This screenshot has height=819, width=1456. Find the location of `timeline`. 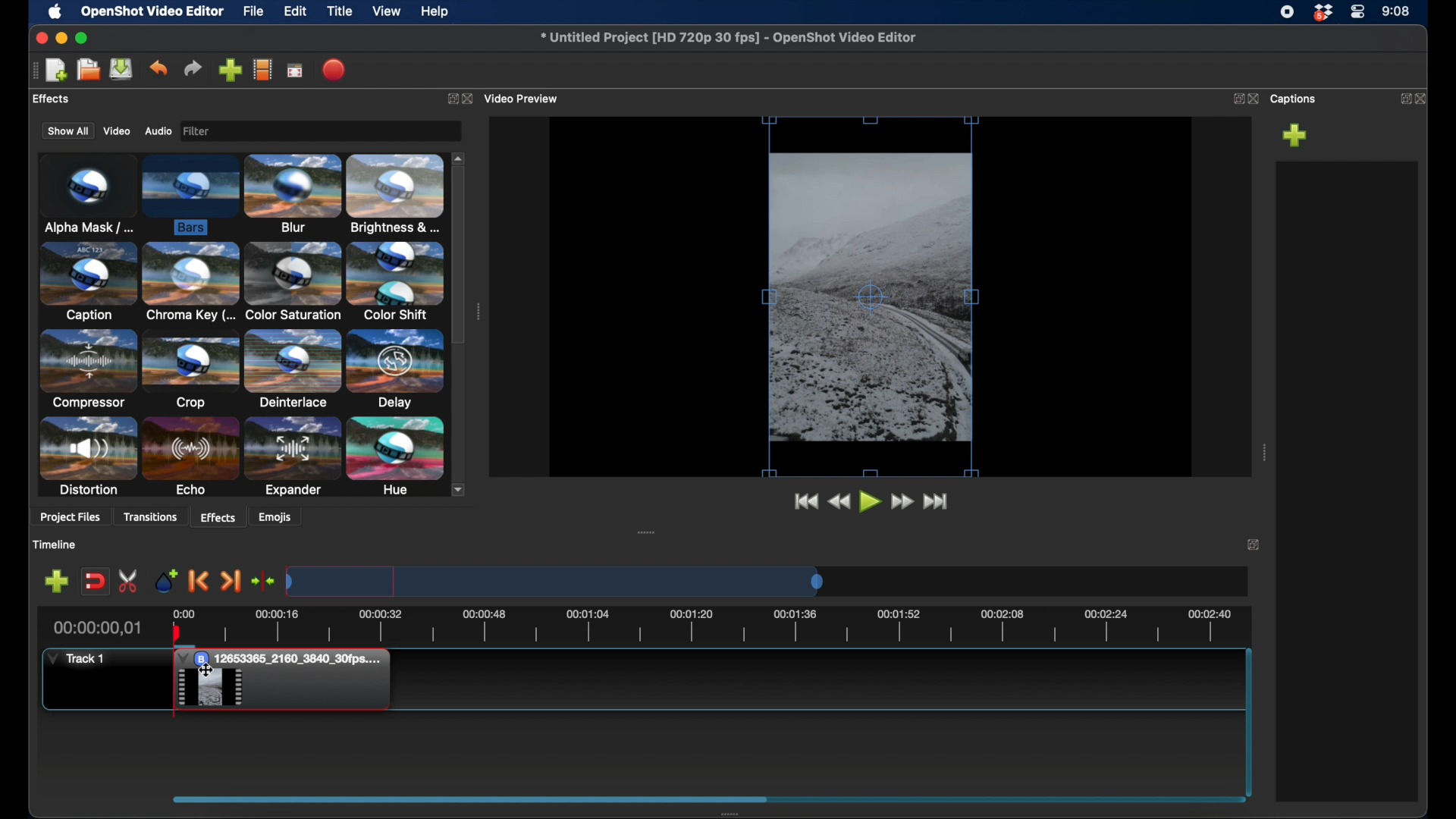

timeline is located at coordinates (726, 626).